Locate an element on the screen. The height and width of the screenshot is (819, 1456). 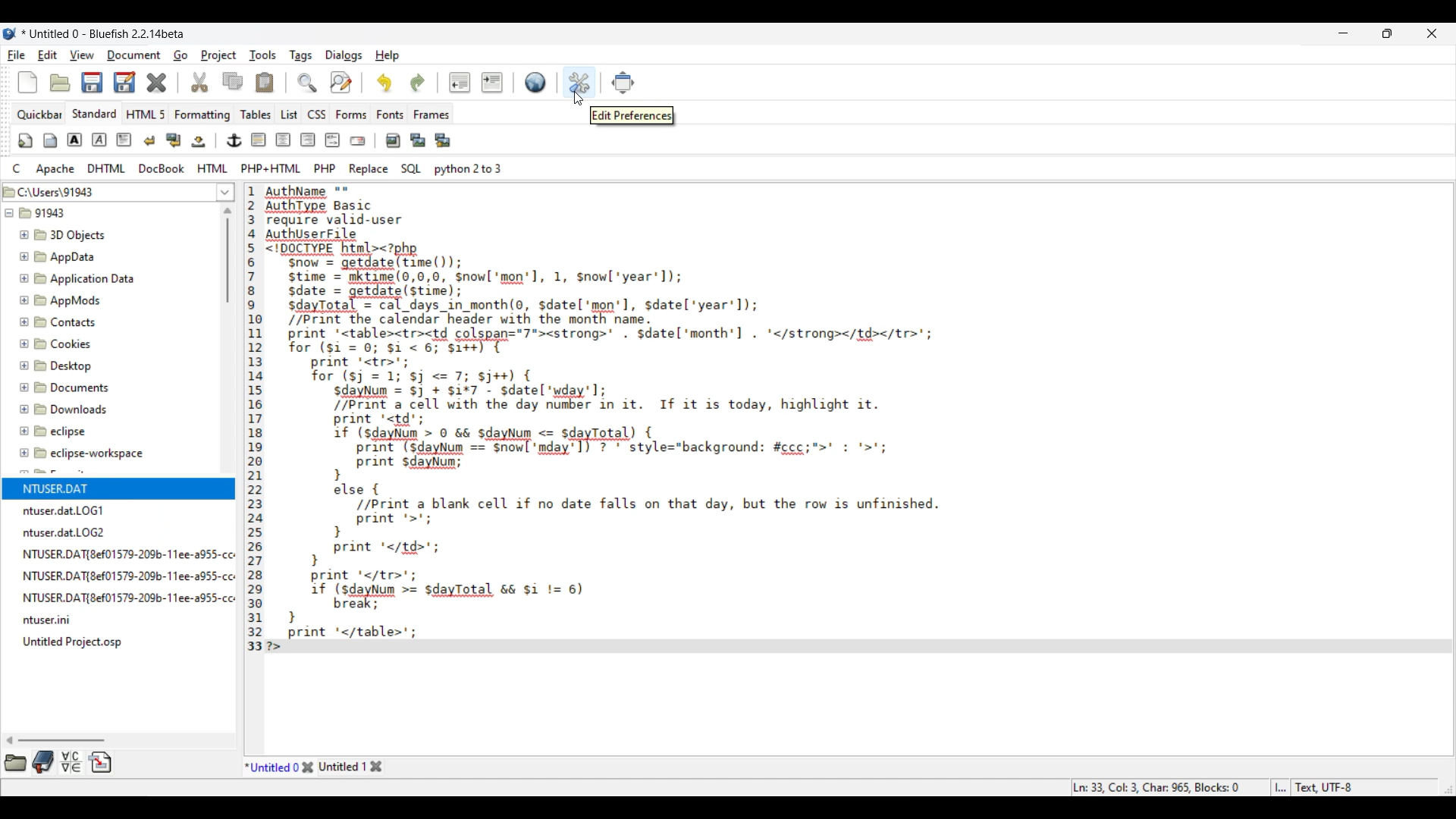
Description of current selection is located at coordinates (632, 115).